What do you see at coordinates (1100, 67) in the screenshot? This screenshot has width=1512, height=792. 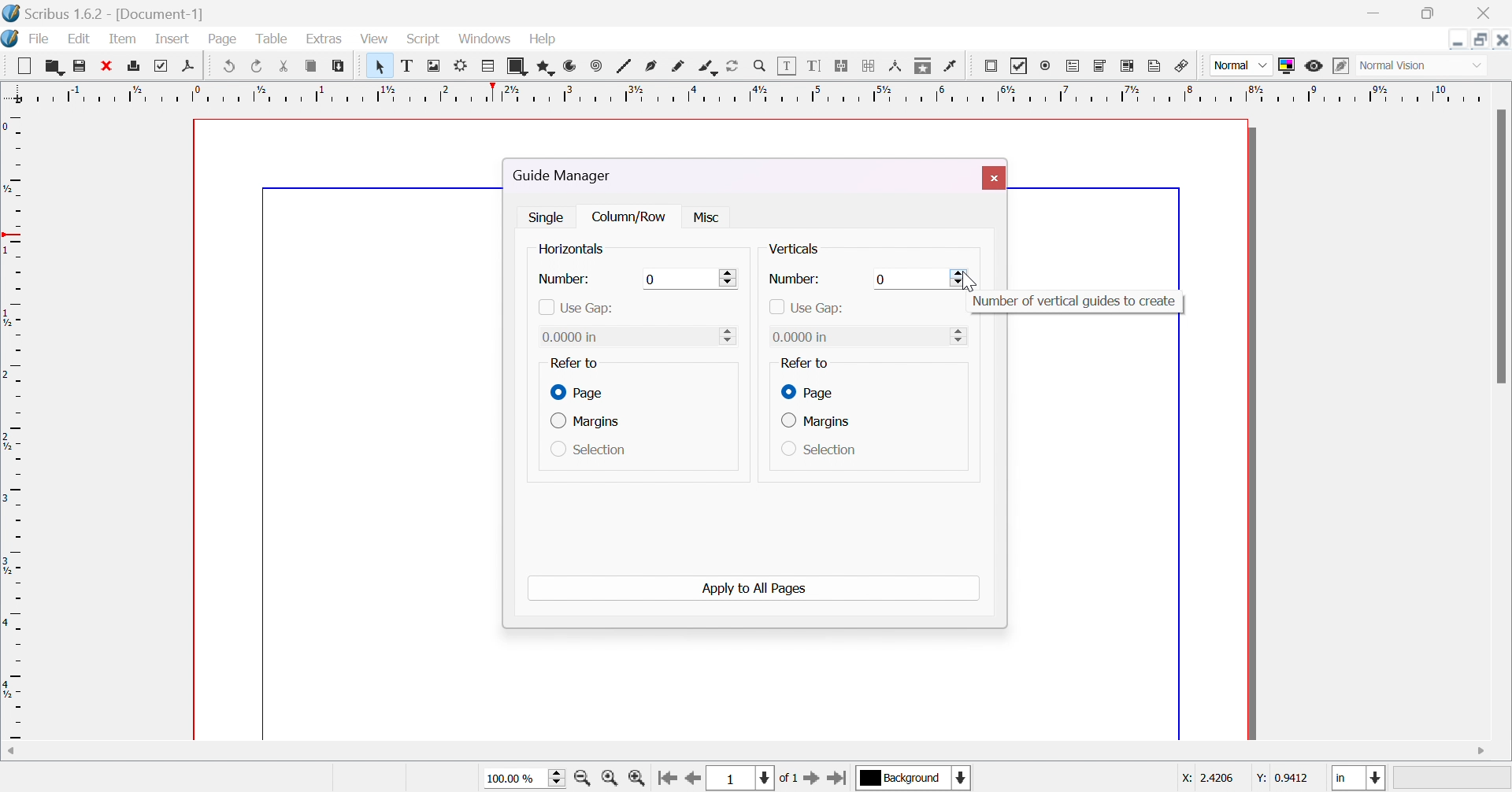 I see `PDF combo box` at bounding box center [1100, 67].